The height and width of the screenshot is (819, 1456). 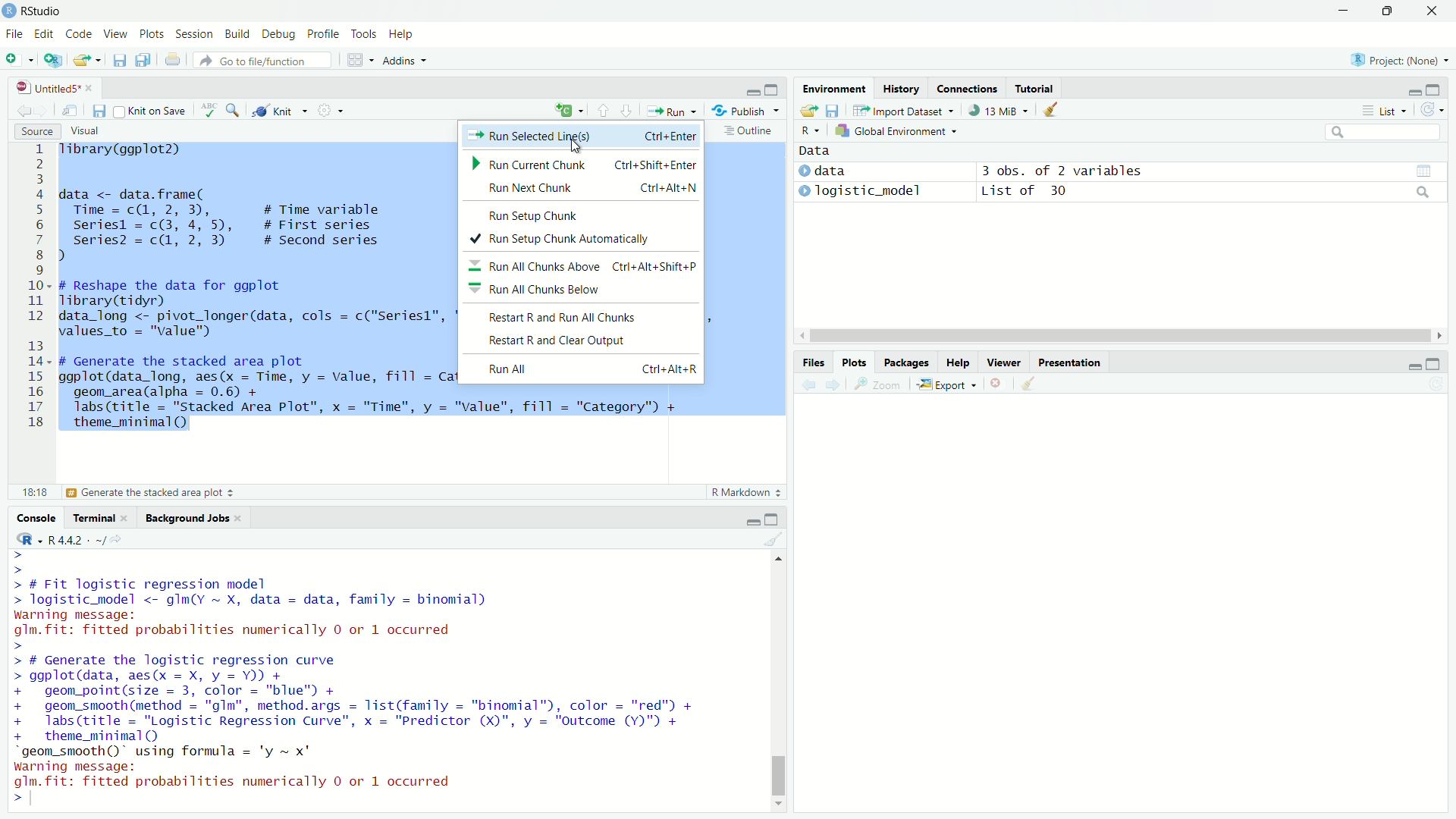 I want to click on Run All Chunks Below, so click(x=554, y=291).